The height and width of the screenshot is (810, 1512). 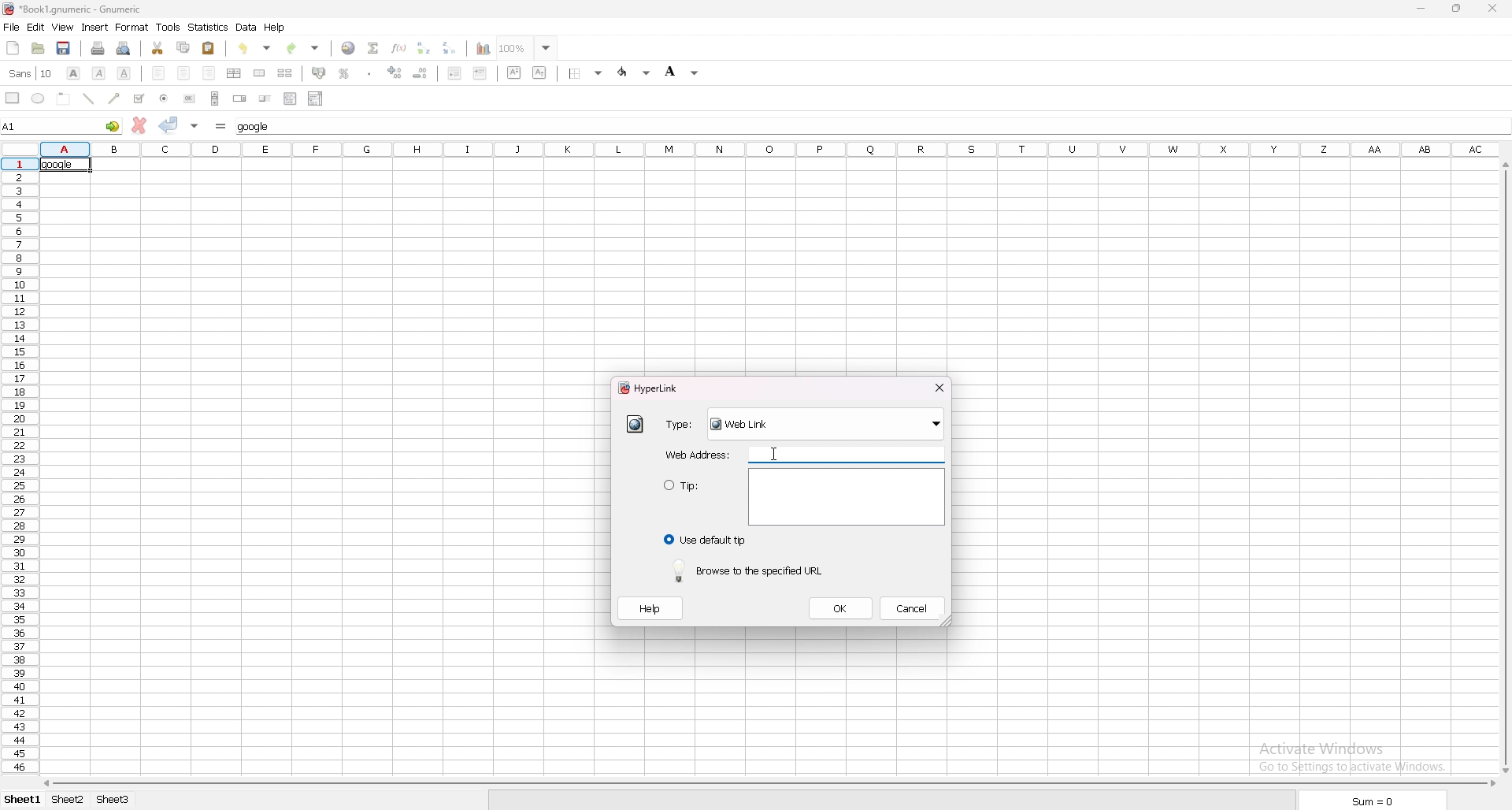 I want to click on selected cell column, so click(x=775, y=150).